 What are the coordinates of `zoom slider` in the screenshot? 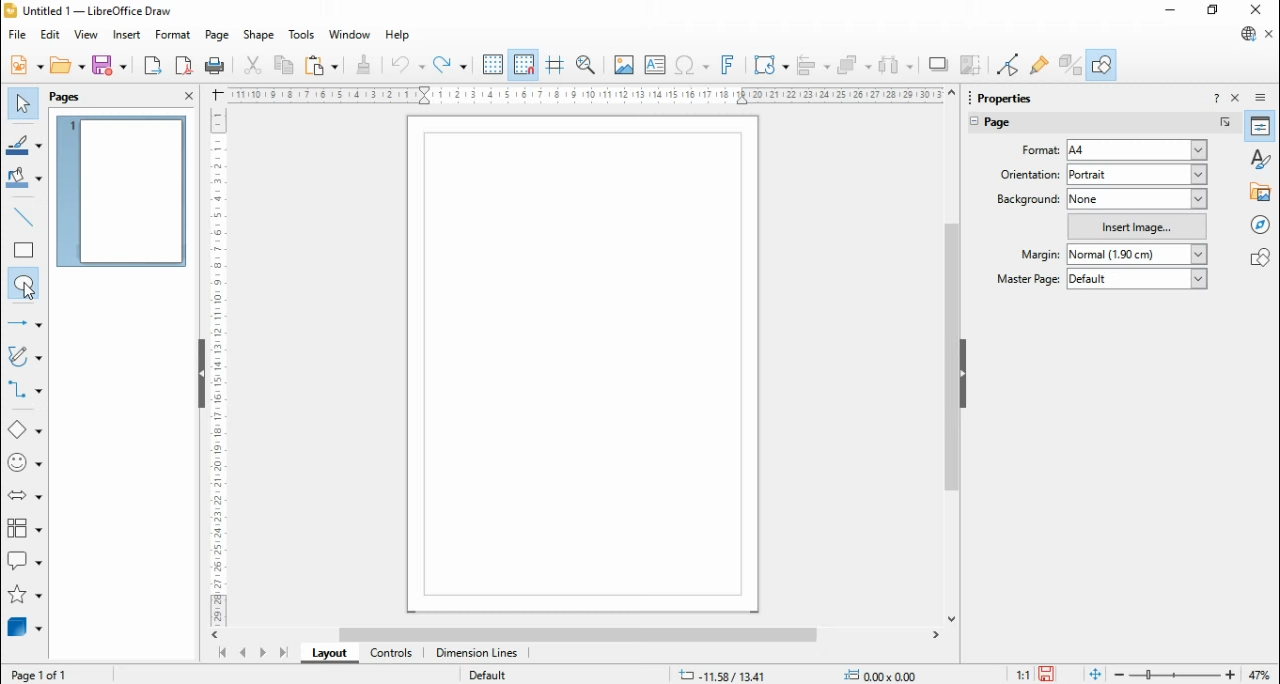 It's located at (1175, 675).